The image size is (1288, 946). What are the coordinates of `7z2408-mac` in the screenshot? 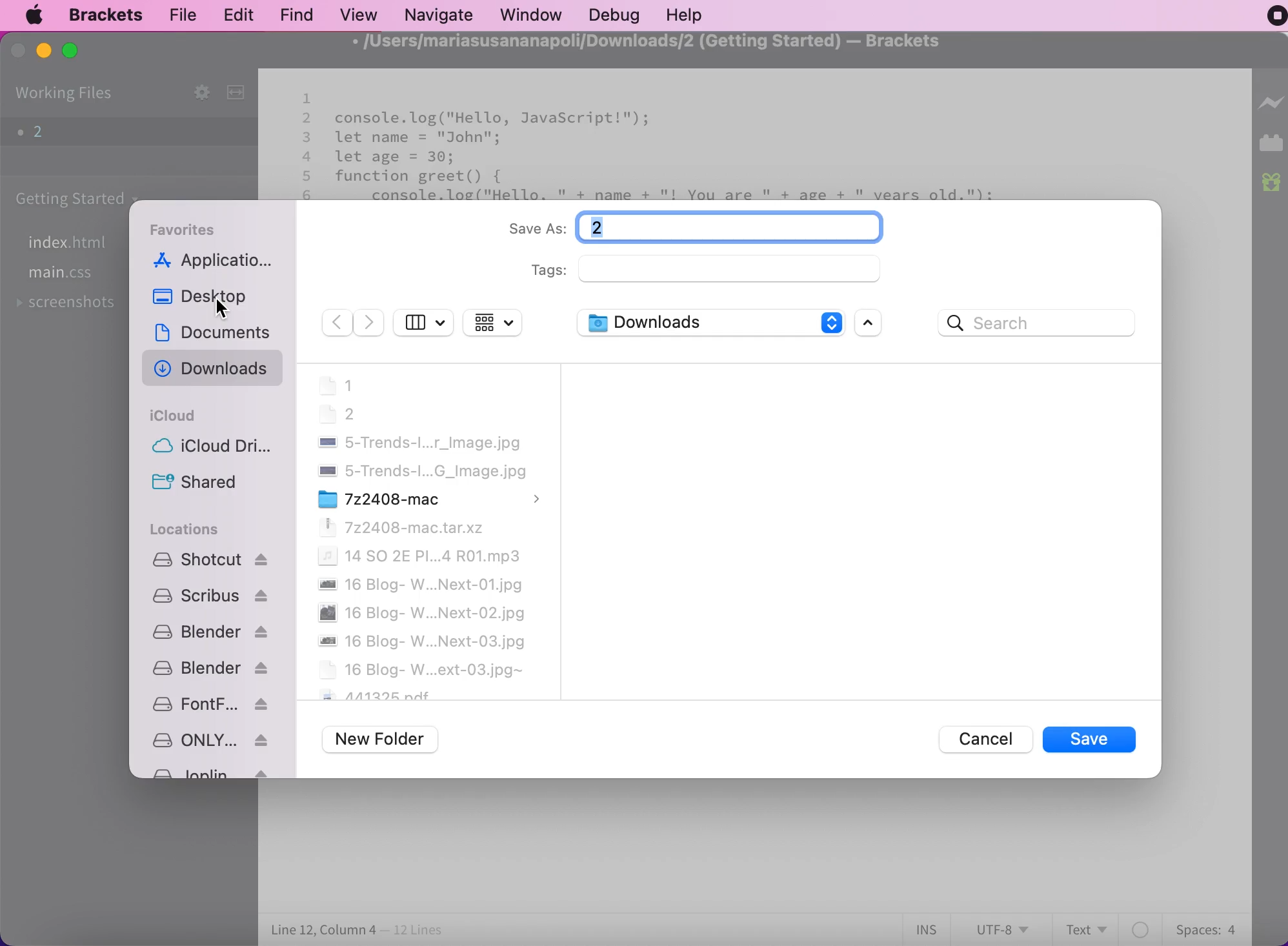 It's located at (430, 498).